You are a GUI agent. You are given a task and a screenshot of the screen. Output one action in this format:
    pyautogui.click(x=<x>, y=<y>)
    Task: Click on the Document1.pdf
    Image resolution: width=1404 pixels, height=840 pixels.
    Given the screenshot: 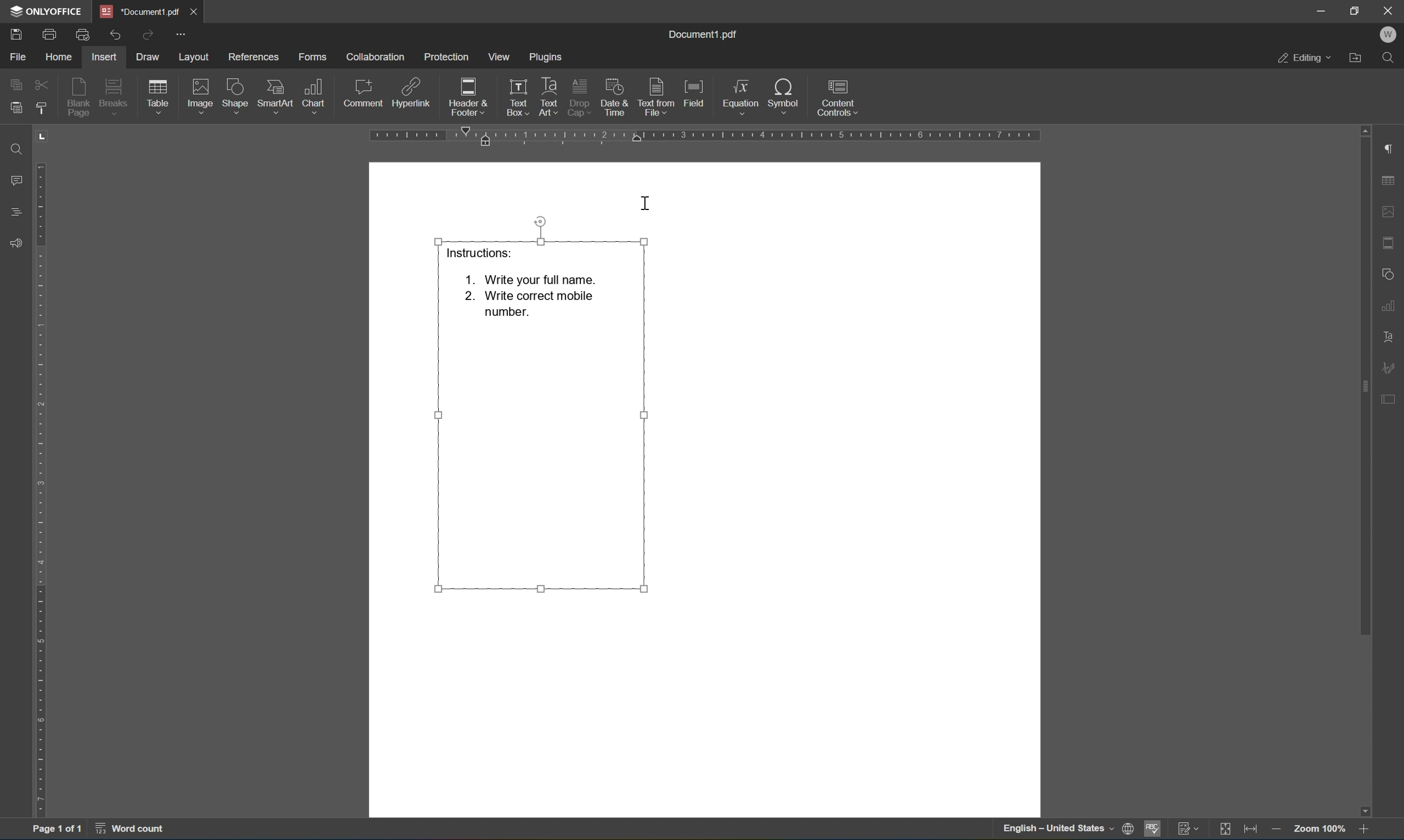 What is the action you would take?
    pyautogui.click(x=138, y=11)
    